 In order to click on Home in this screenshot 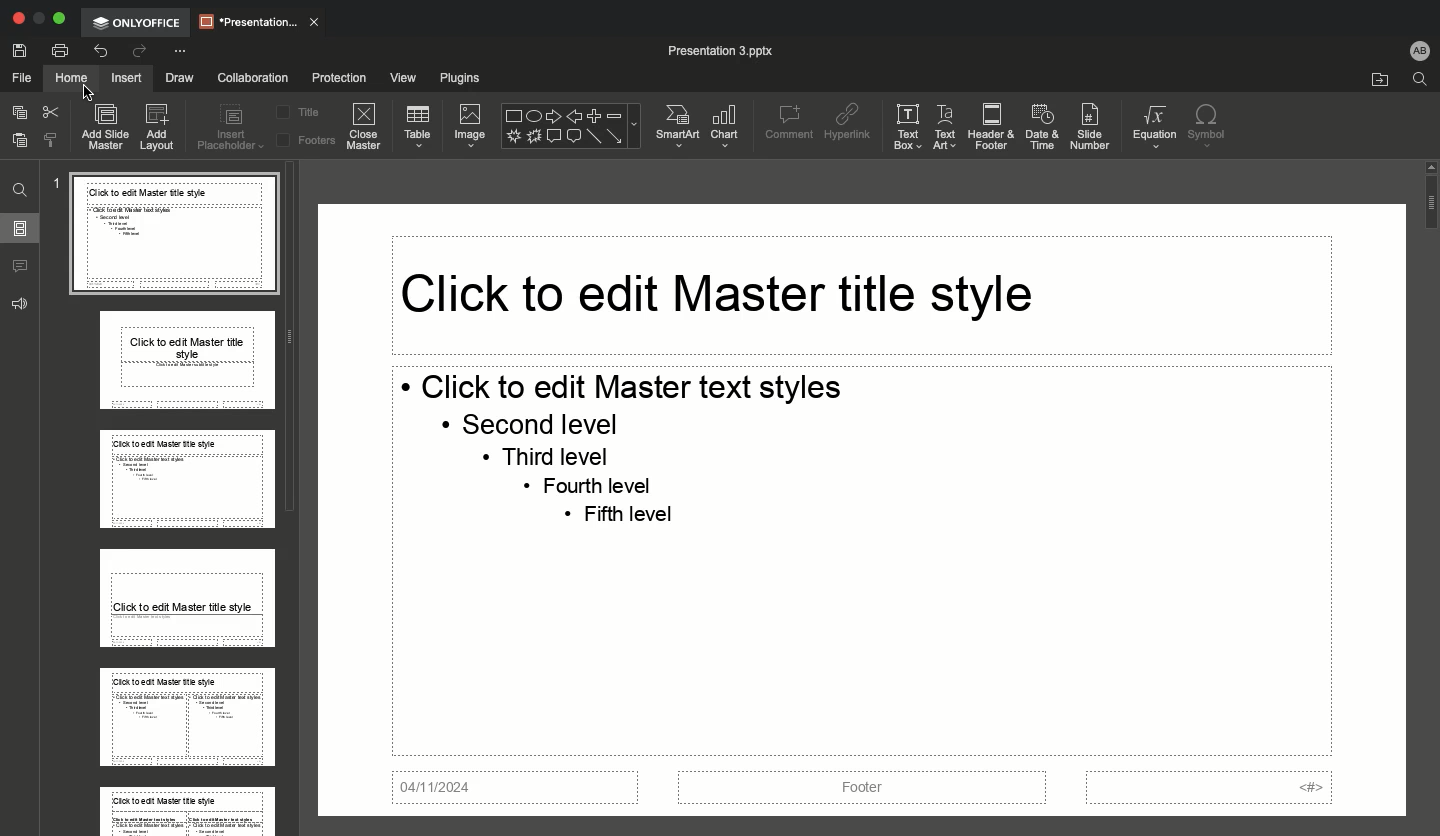, I will do `click(69, 78)`.